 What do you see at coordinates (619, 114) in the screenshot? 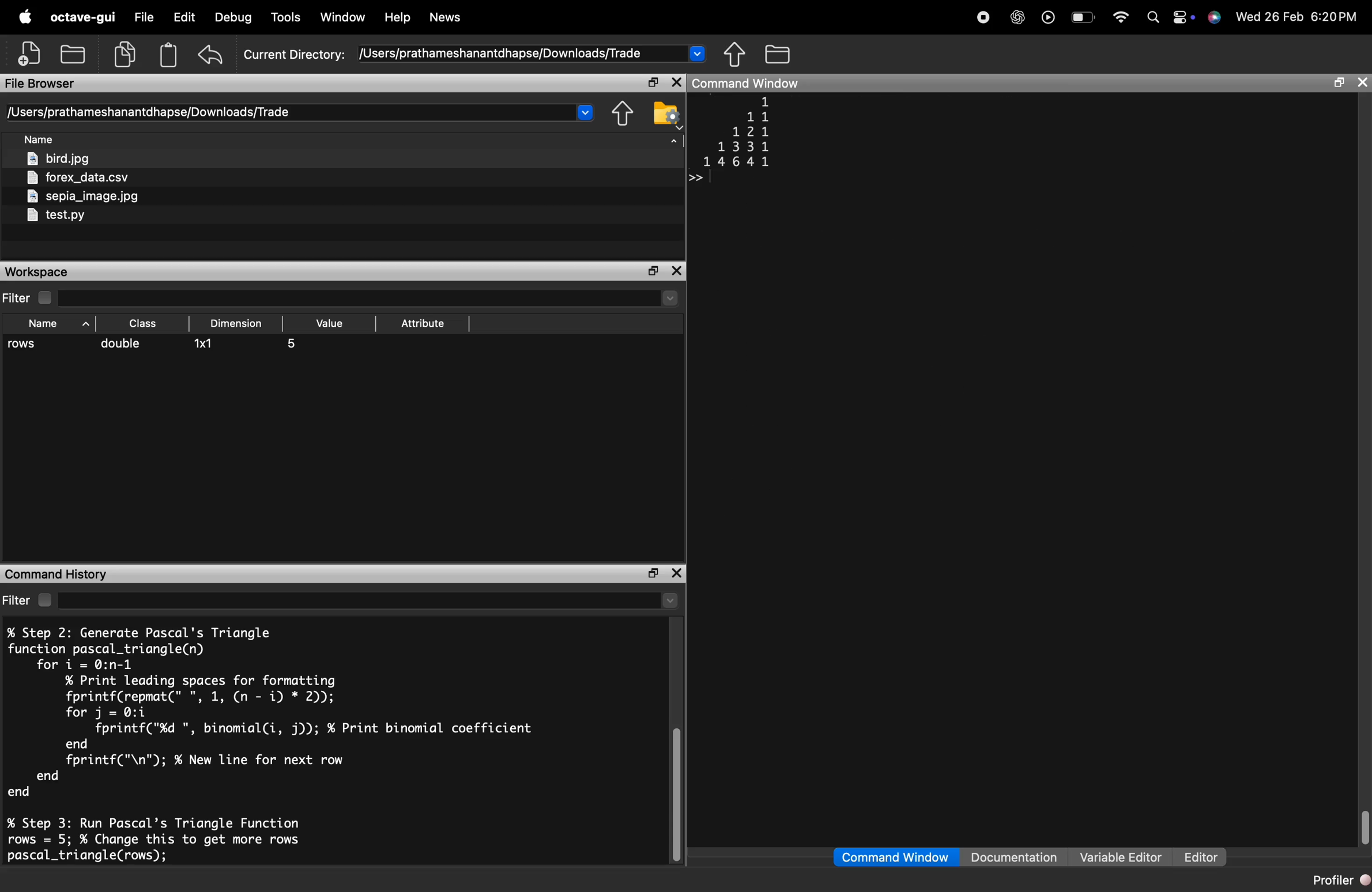
I see `Go back` at bounding box center [619, 114].